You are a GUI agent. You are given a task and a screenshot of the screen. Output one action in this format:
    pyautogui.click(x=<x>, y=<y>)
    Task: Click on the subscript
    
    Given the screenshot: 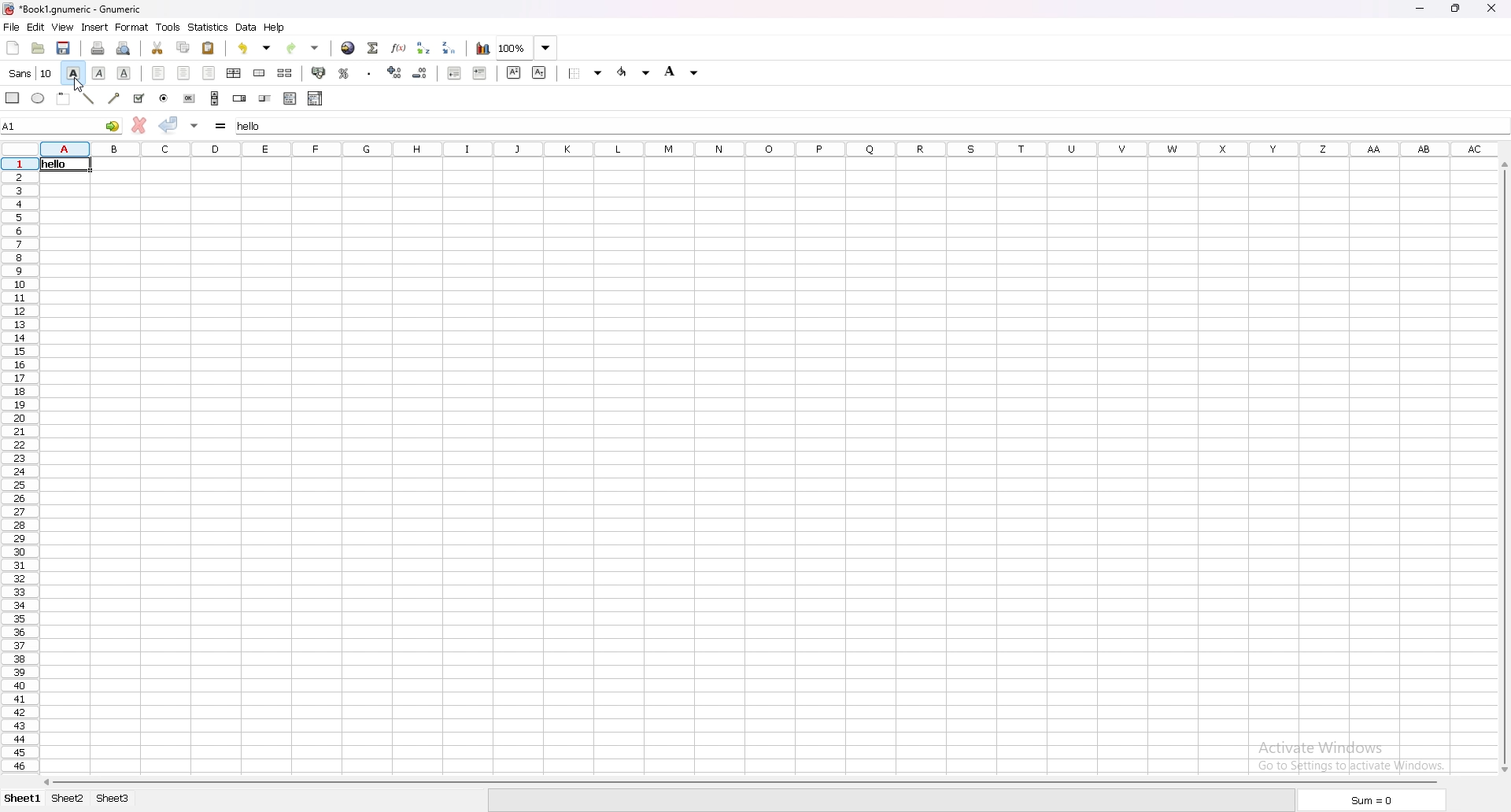 What is the action you would take?
    pyautogui.click(x=541, y=72)
    